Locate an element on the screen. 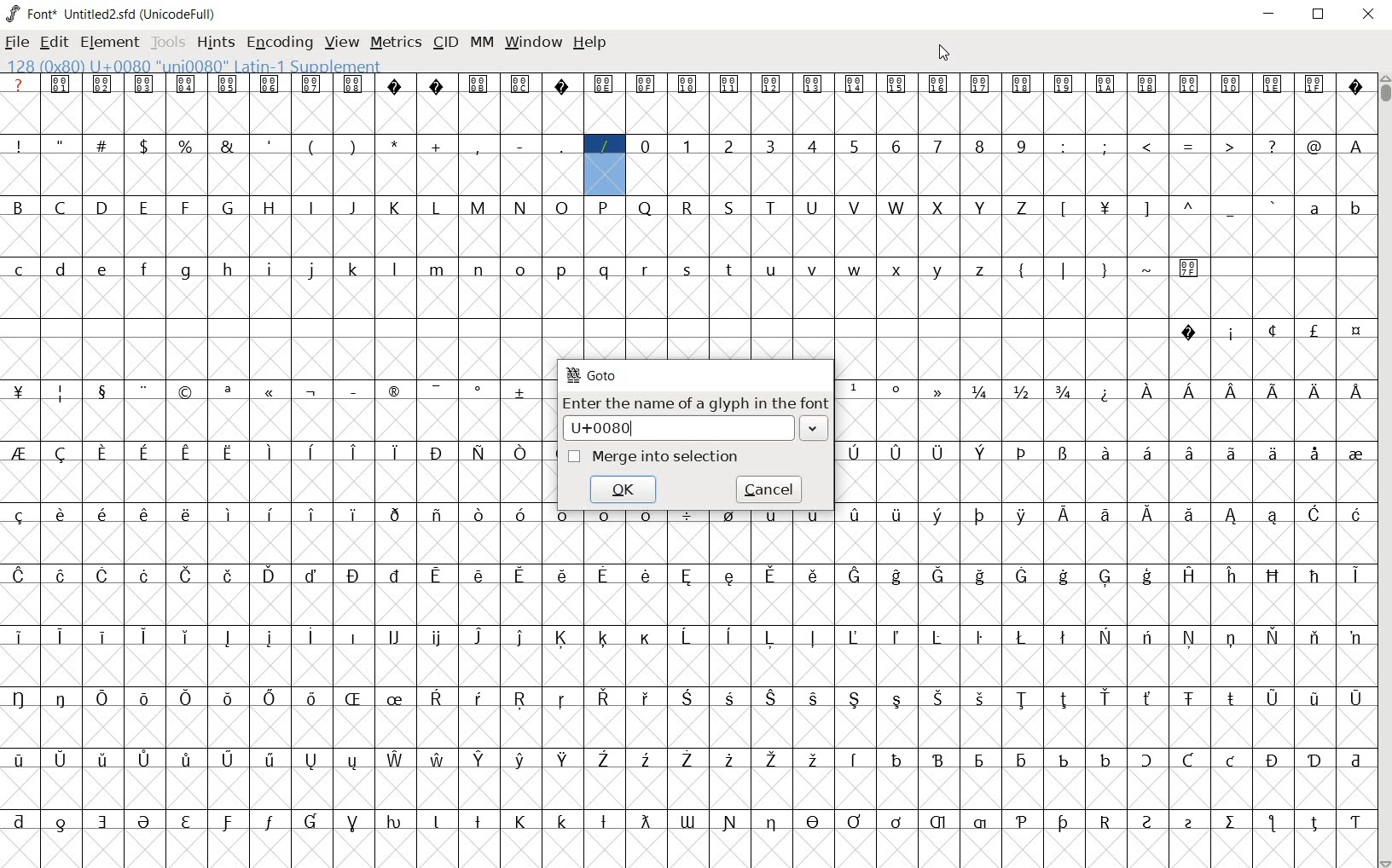 The height and width of the screenshot is (868, 1392). glyph is located at coordinates (645, 821).